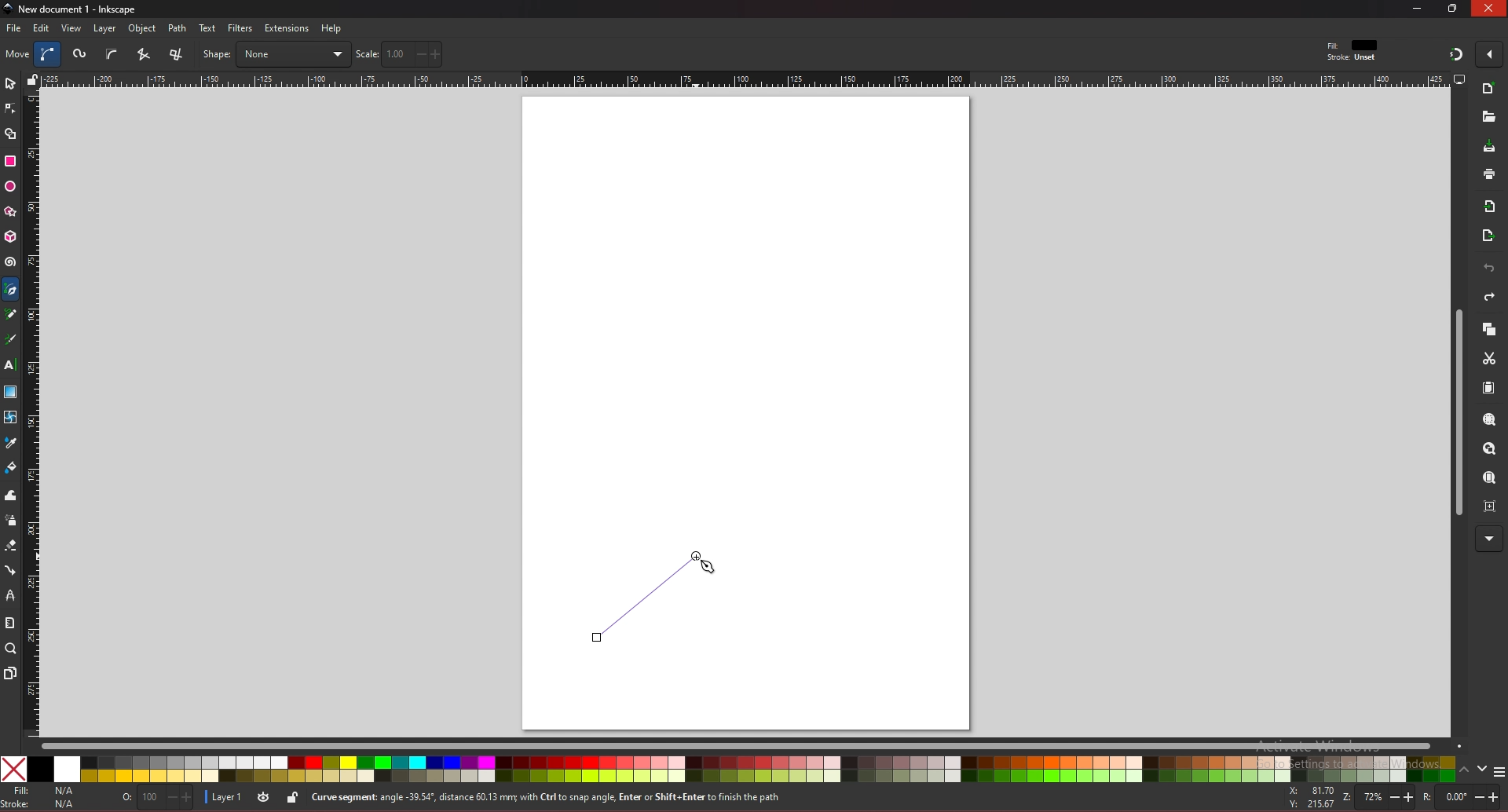 Image resolution: width=1508 pixels, height=812 pixels. Describe the element at coordinates (745, 79) in the screenshot. I see `horizontal rule` at that location.